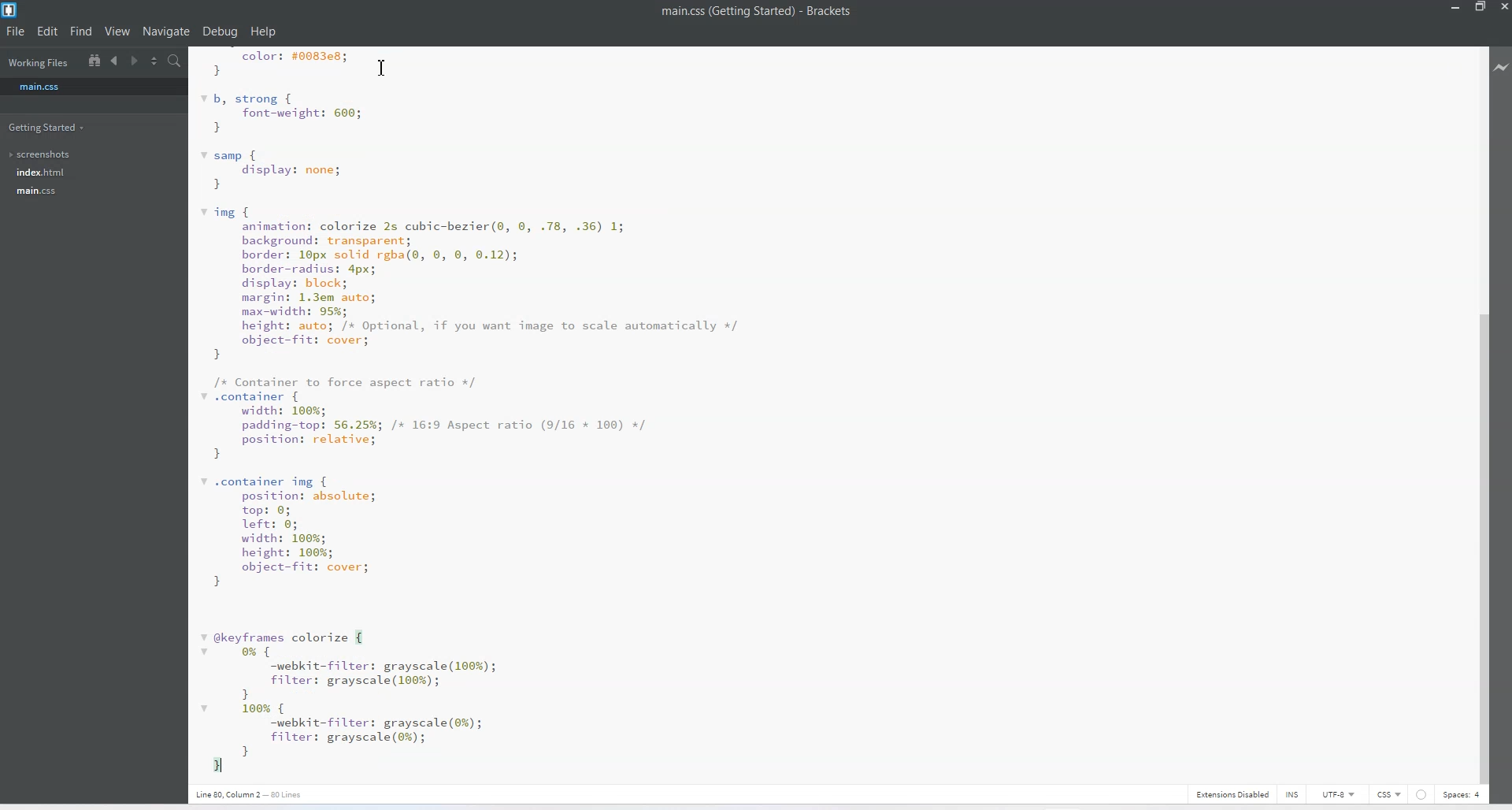 This screenshot has height=810, width=1512. What do you see at coordinates (1503, 8) in the screenshot?
I see `Close` at bounding box center [1503, 8].